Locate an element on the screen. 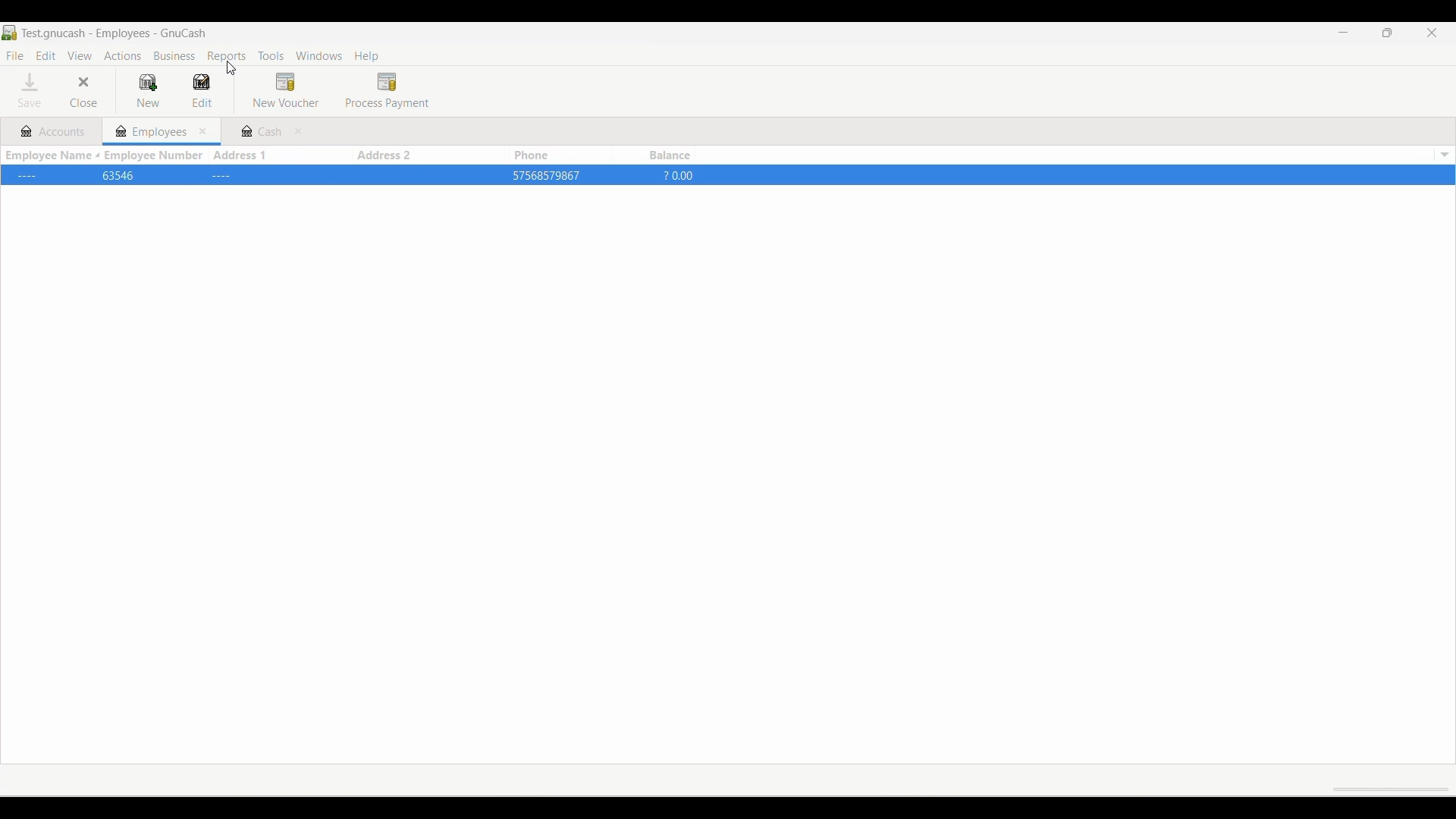 The width and height of the screenshot is (1456, 819). Process payment is located at coordinates (388, 90).